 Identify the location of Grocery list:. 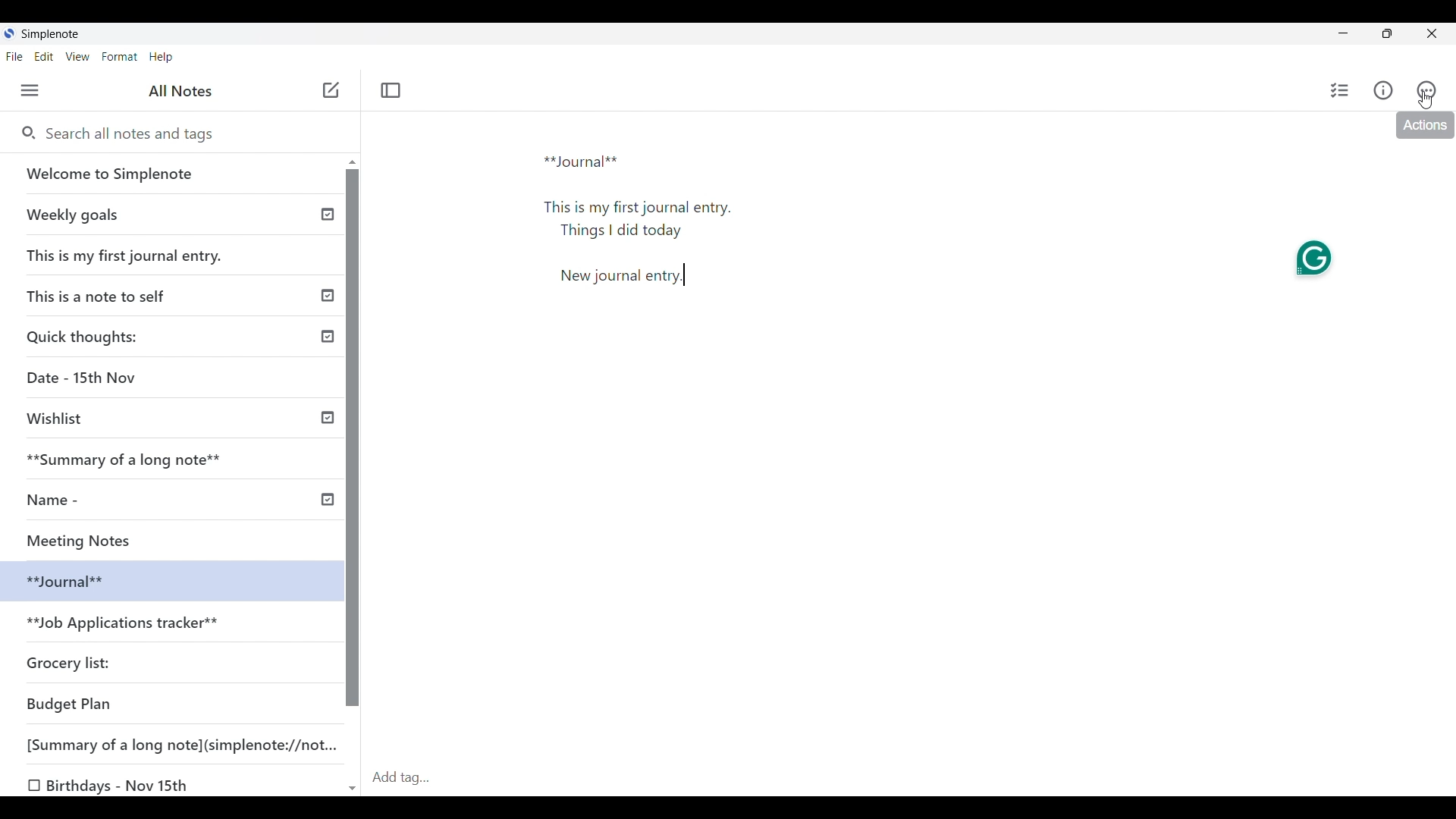
(71, 661).